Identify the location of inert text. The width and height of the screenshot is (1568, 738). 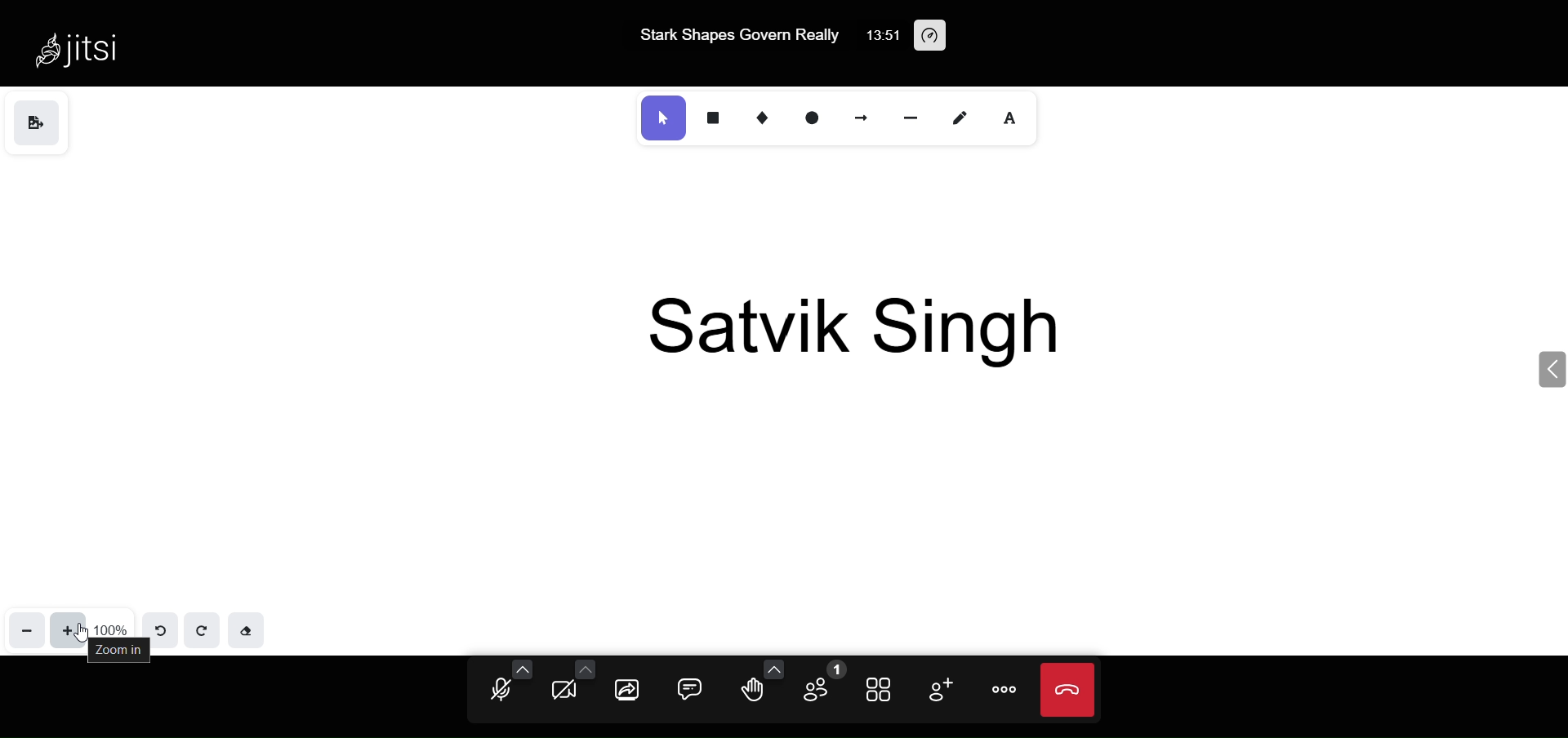
(1011, 117).